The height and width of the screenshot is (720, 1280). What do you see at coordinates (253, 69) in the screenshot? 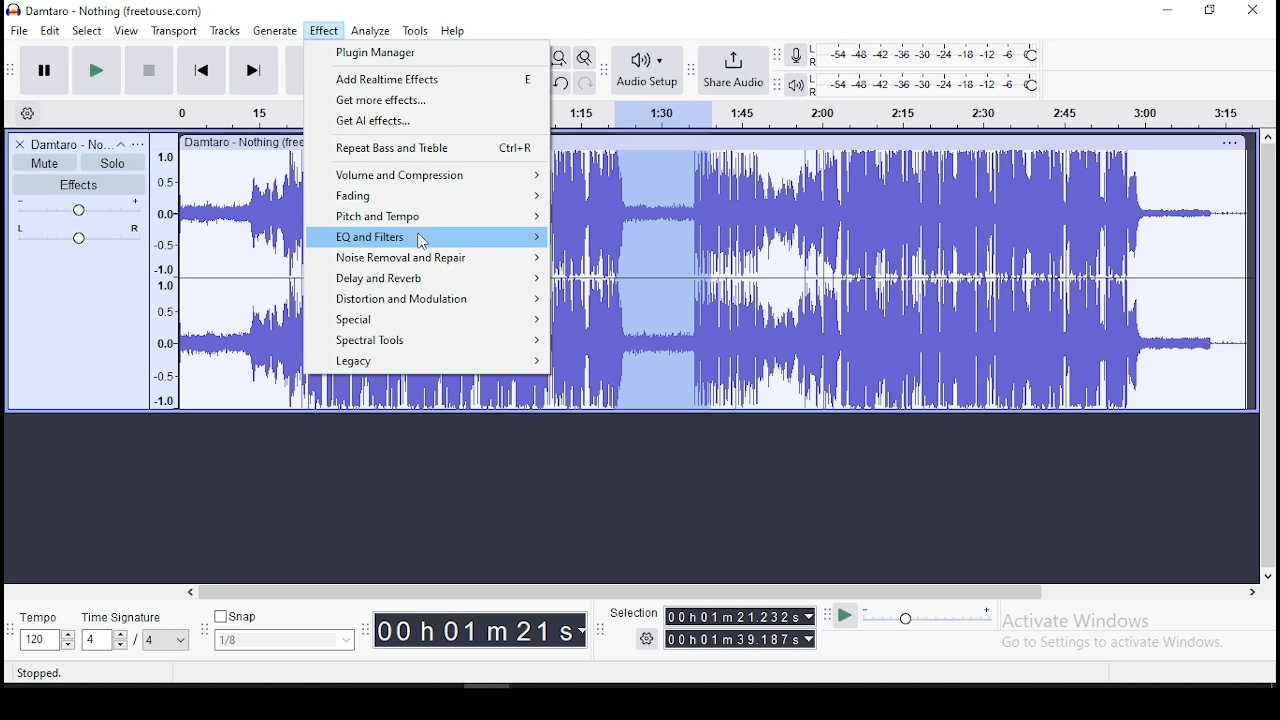
I see `skip to start` at bounding box center [253, 69].